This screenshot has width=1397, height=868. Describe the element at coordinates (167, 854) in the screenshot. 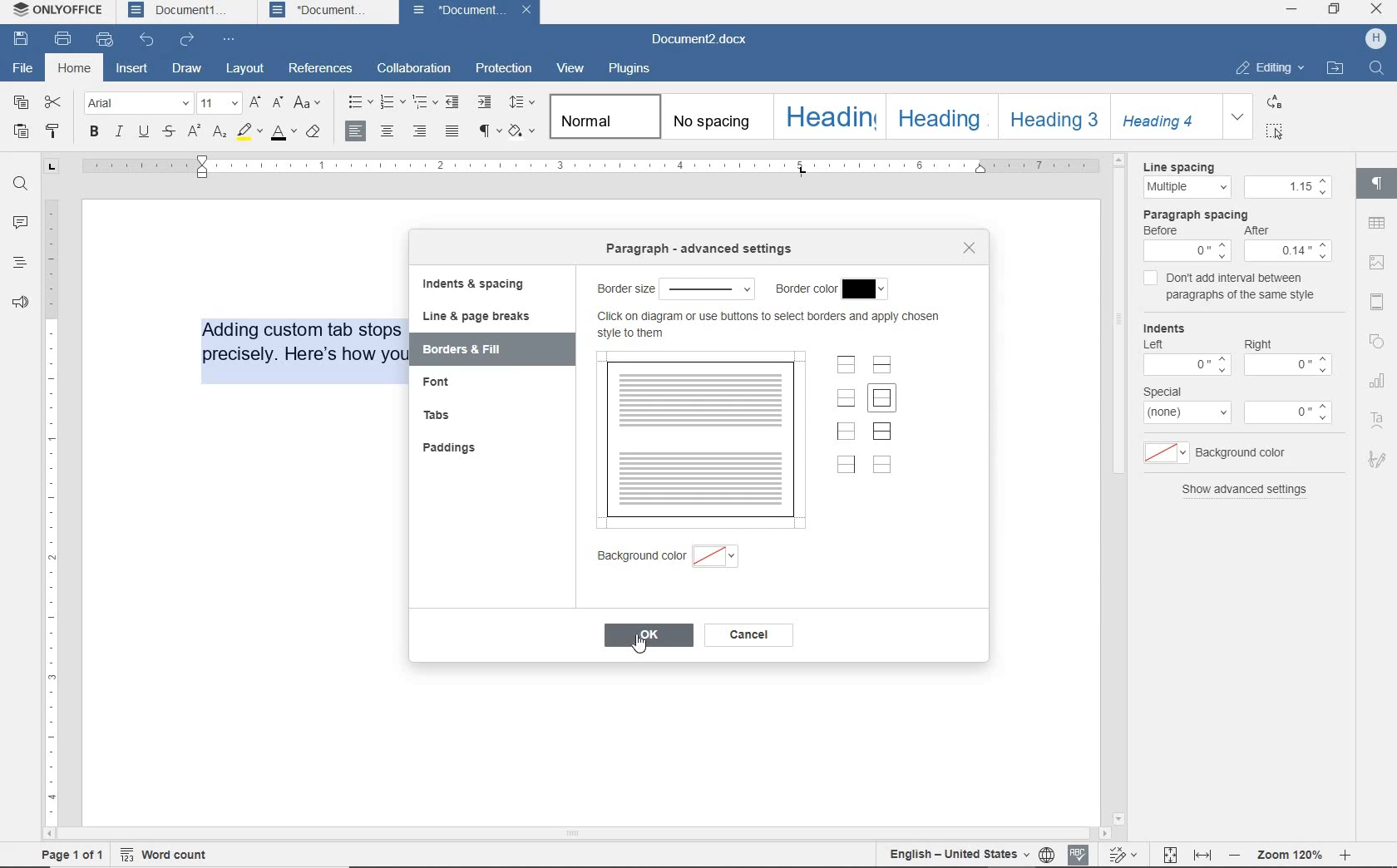

I see `Word Count` at that location.